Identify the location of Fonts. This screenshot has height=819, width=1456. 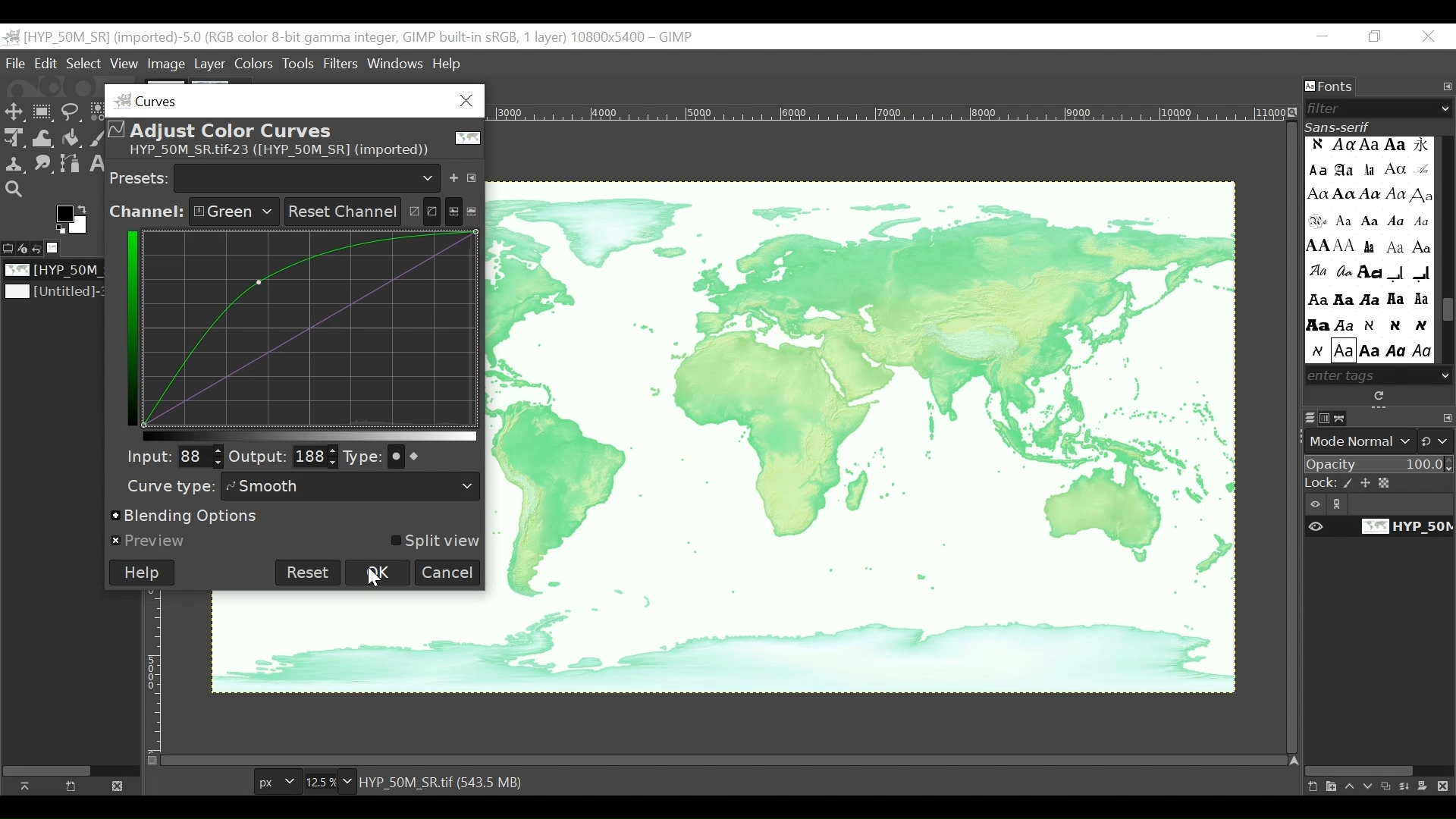
(1331, 87).